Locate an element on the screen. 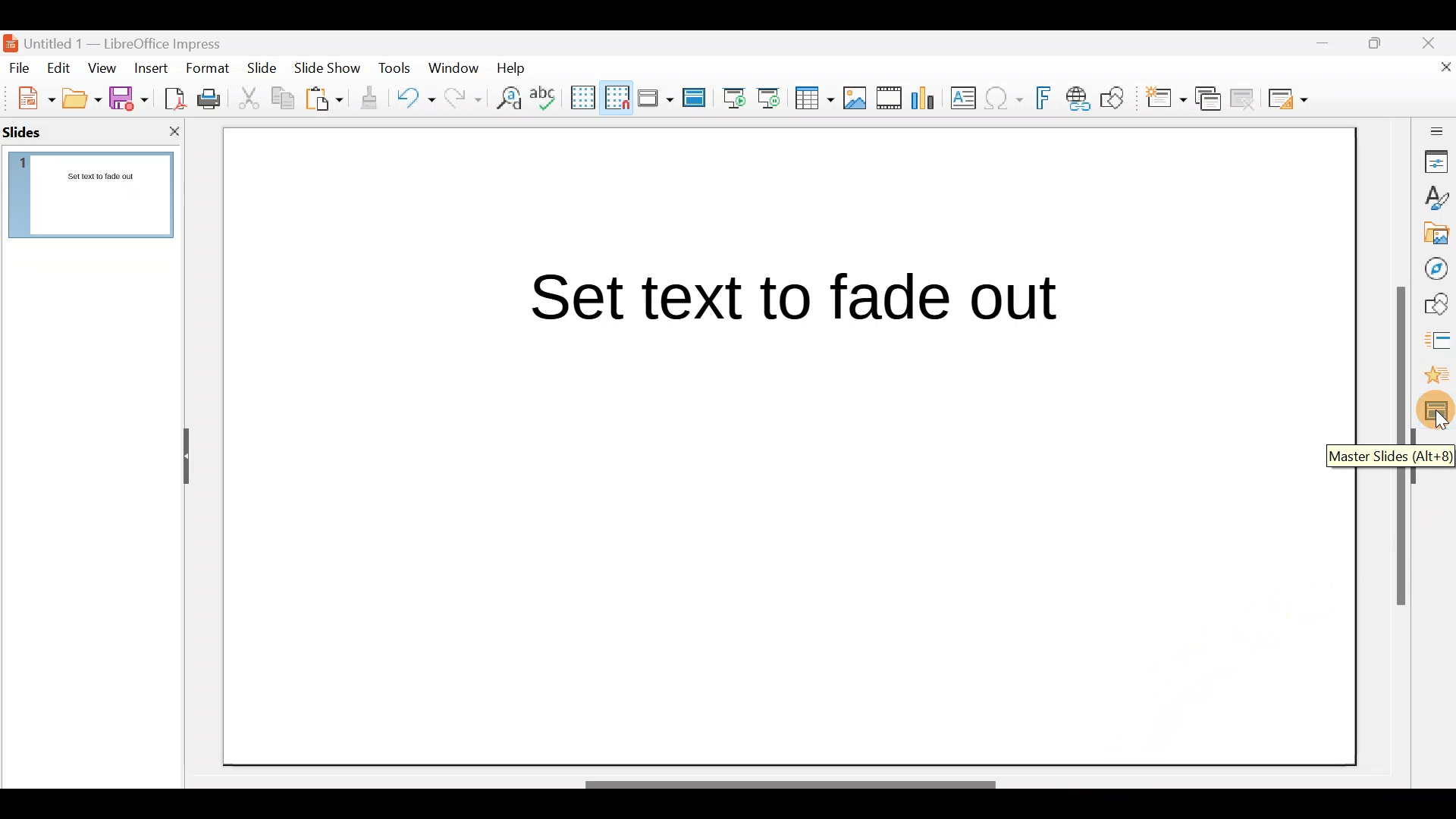  Gallery is located at coordinates (1438, 236).